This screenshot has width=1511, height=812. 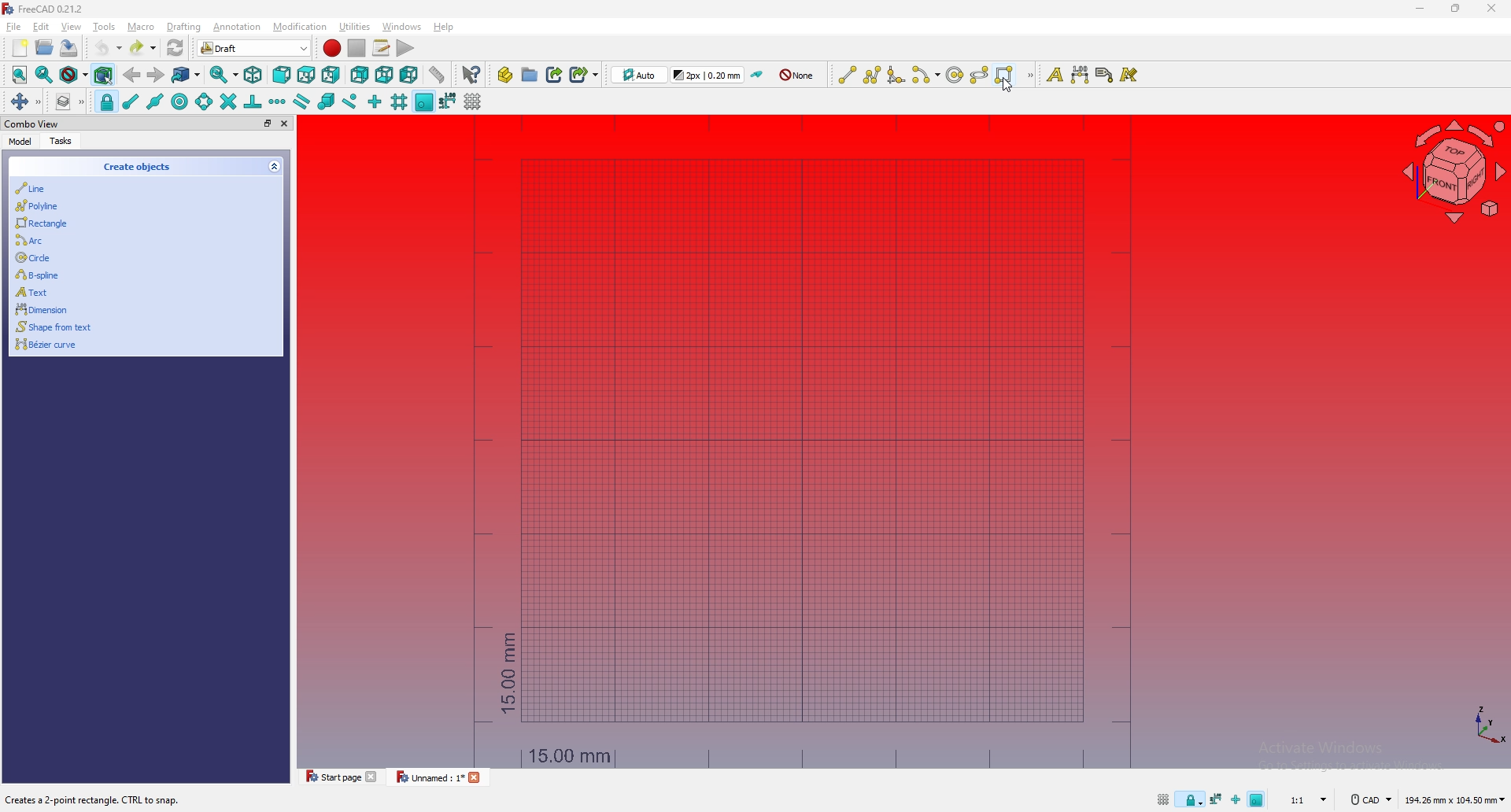 I want to click on circle, so click(x=954, y=74).